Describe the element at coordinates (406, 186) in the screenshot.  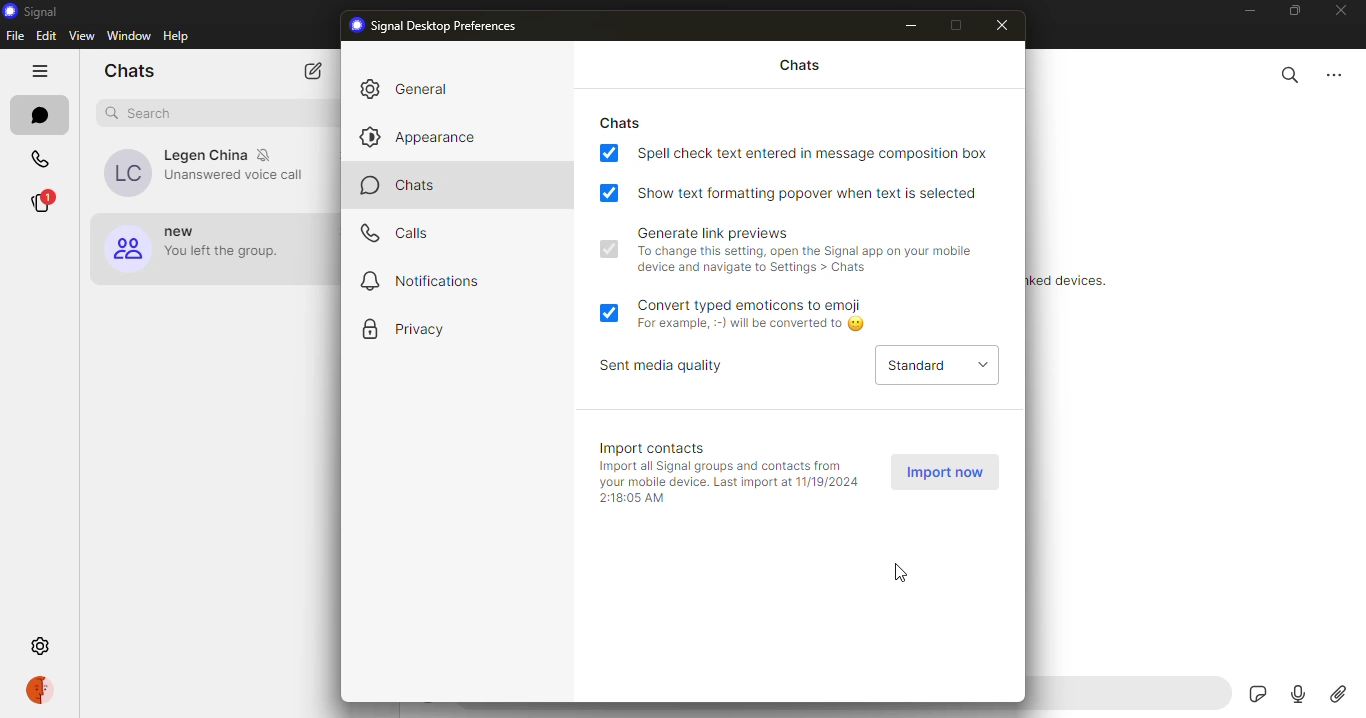
I see `chats` at that location.